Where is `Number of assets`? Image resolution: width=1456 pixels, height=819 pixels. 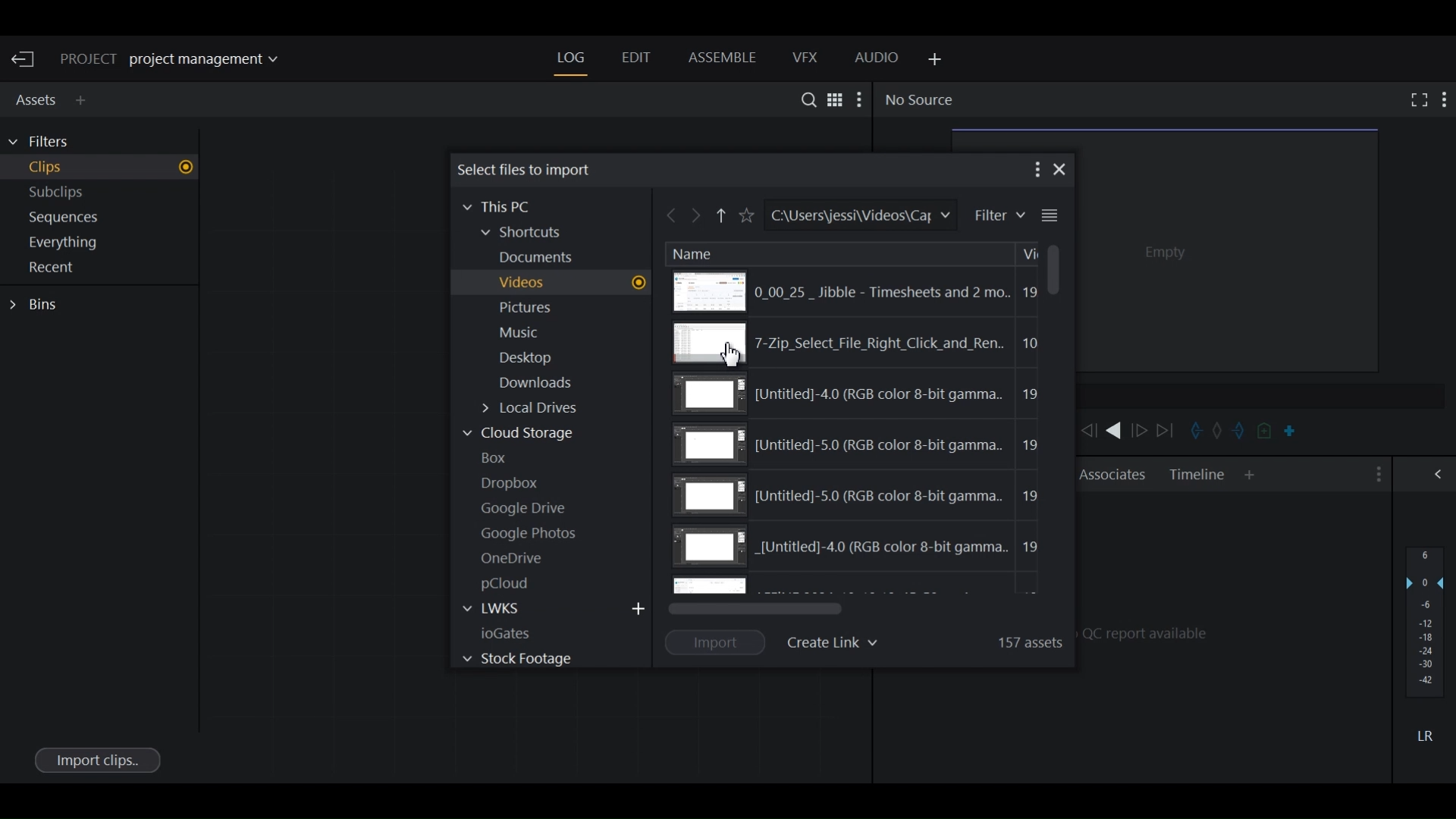 Number of assets is located at coordinates (1026, 640).